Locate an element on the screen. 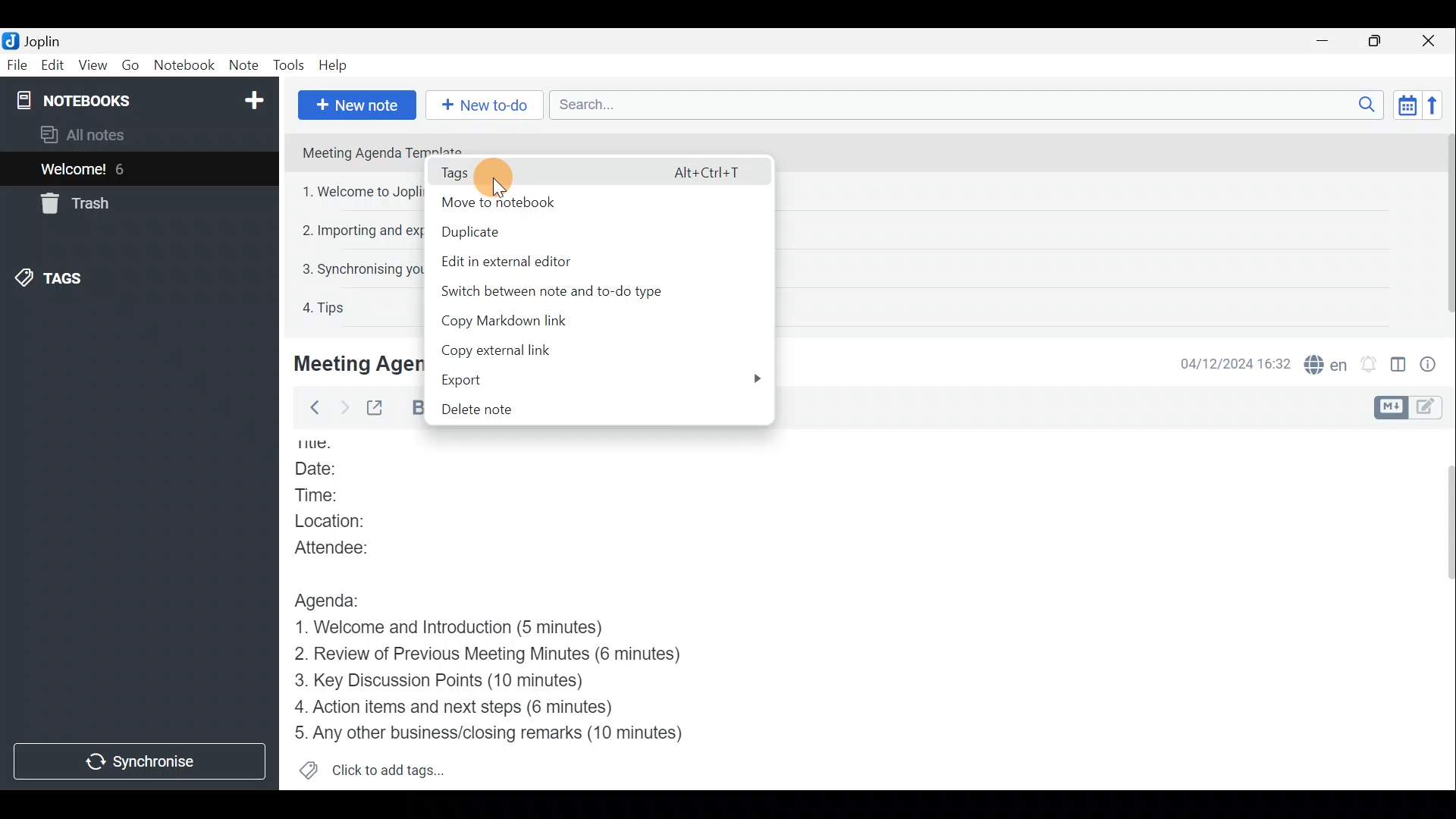 The height and width of the screenshot is (819, 1456). Toggle editors is located at coordinates (1389, 408).